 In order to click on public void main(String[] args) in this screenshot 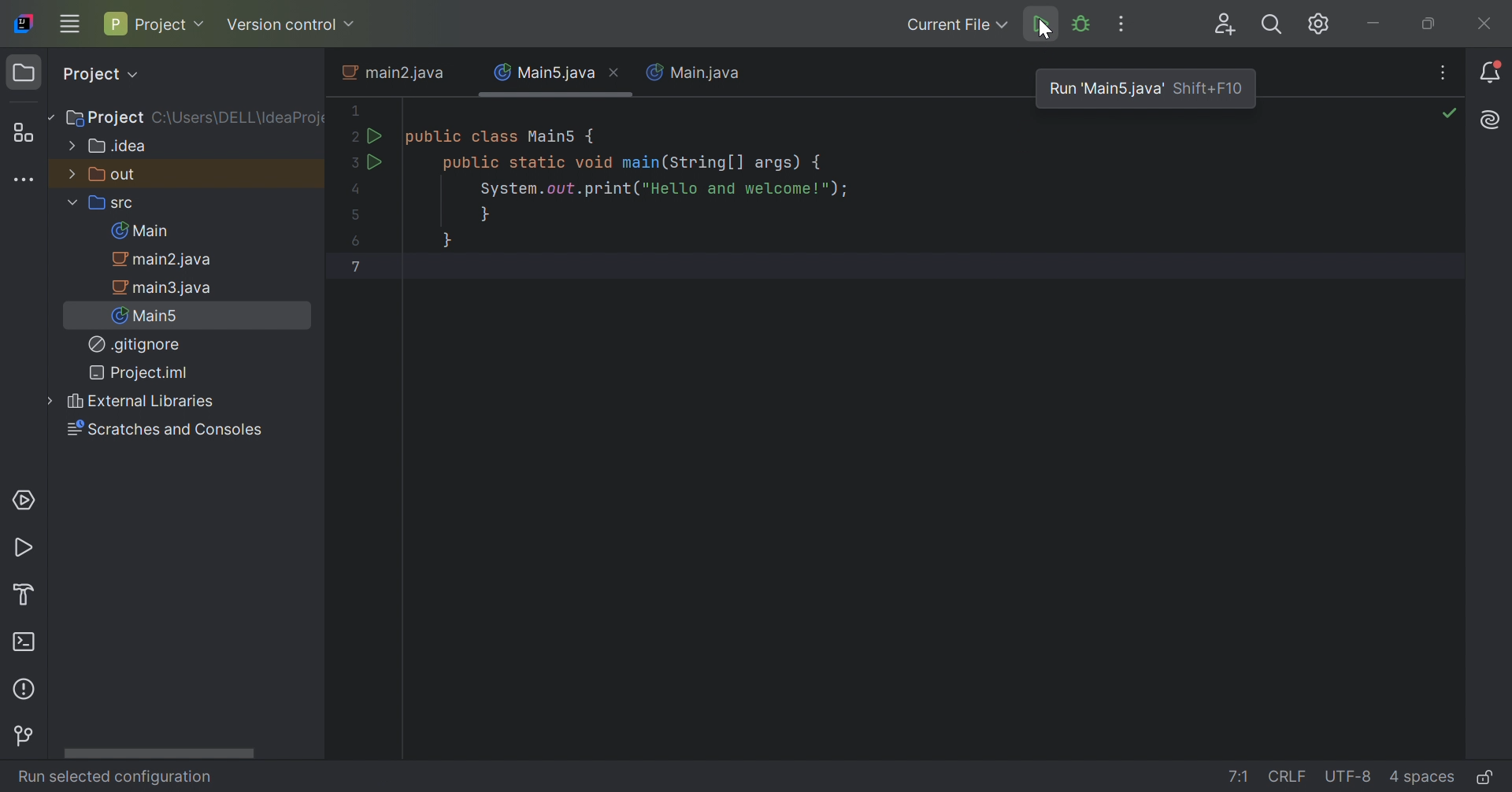, I will do `click(636, 164)`.